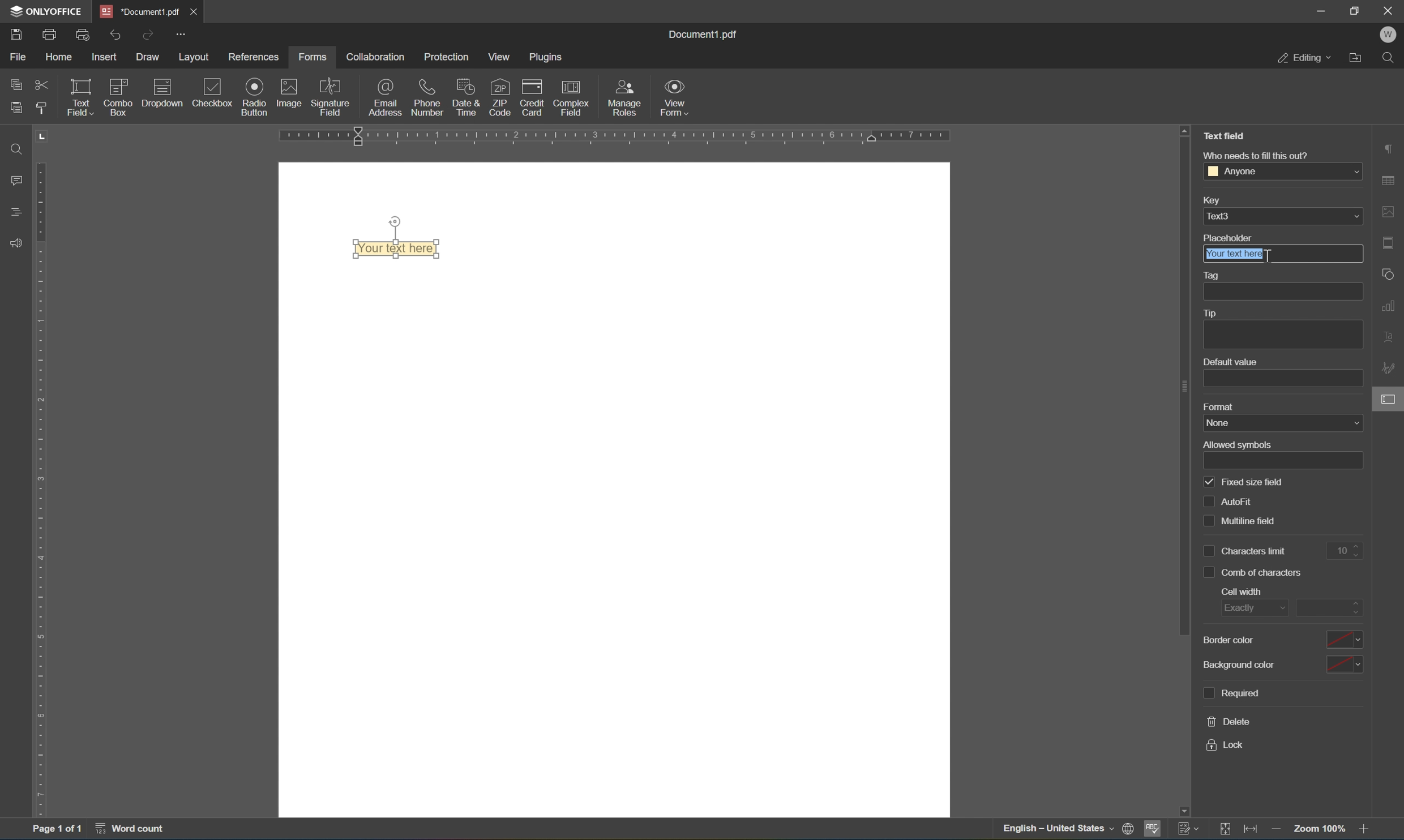 This screenshot has width=1404, height=840. What do you see at coordinates (1281, 640) in the screenshot?
I see `border color` at bounding box center [1281, 640].